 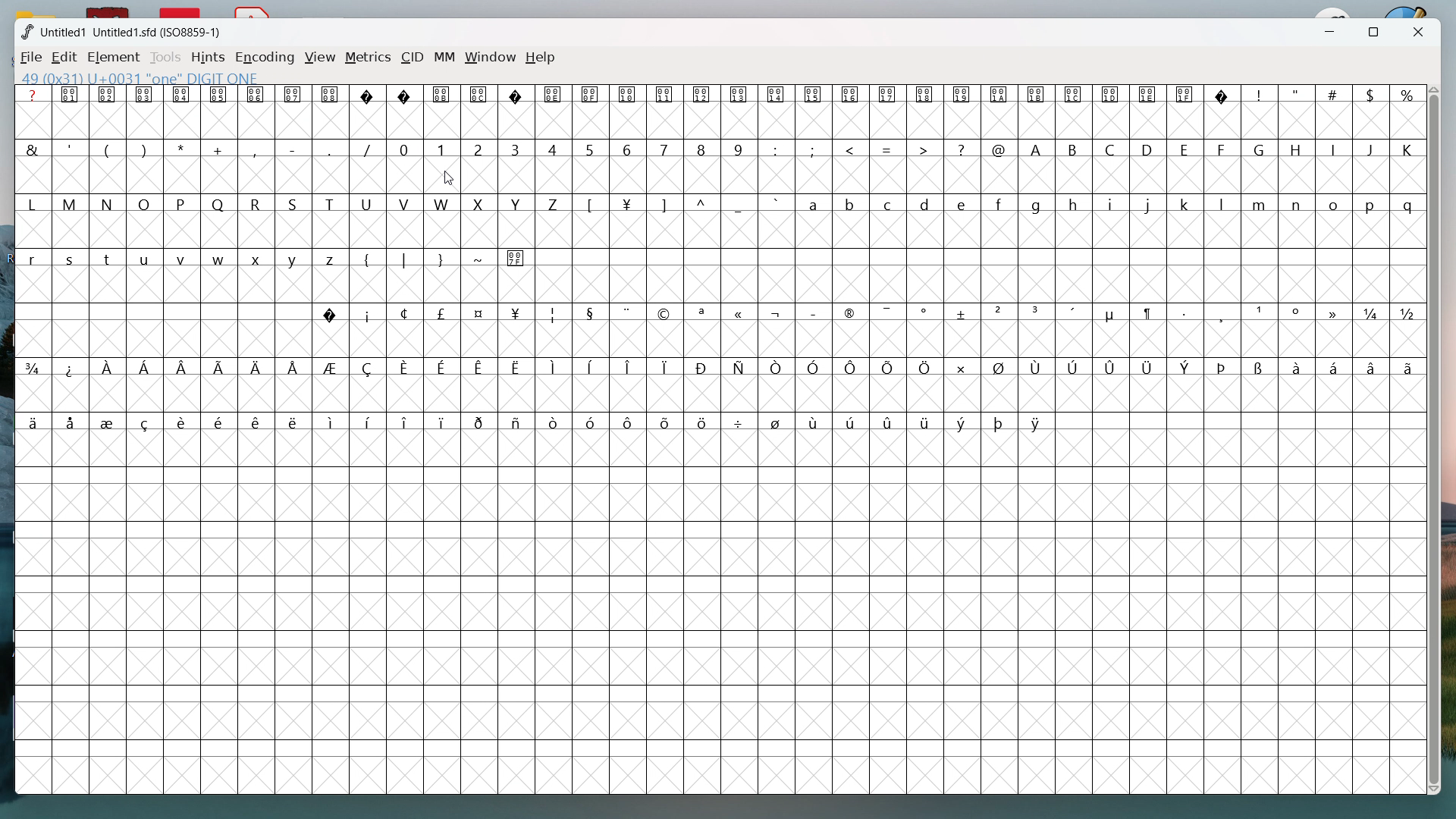 What do you see at coordinates (1039, 203) in the screenshot?
I see `g` at bounding box center [1039, 203].